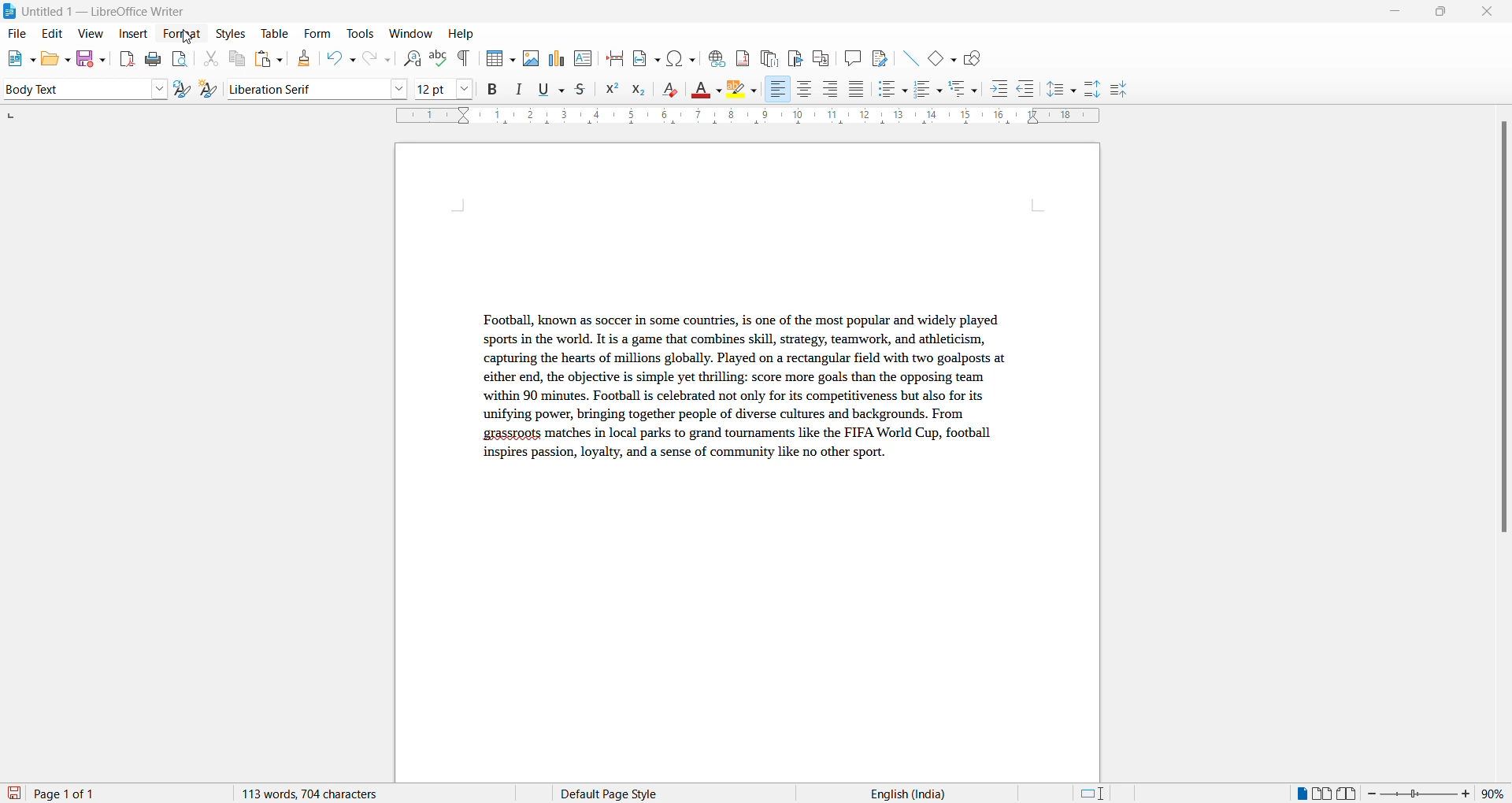 The width and height of the screenshot is (1512, 803). I want to click on window, so click(412, 34).